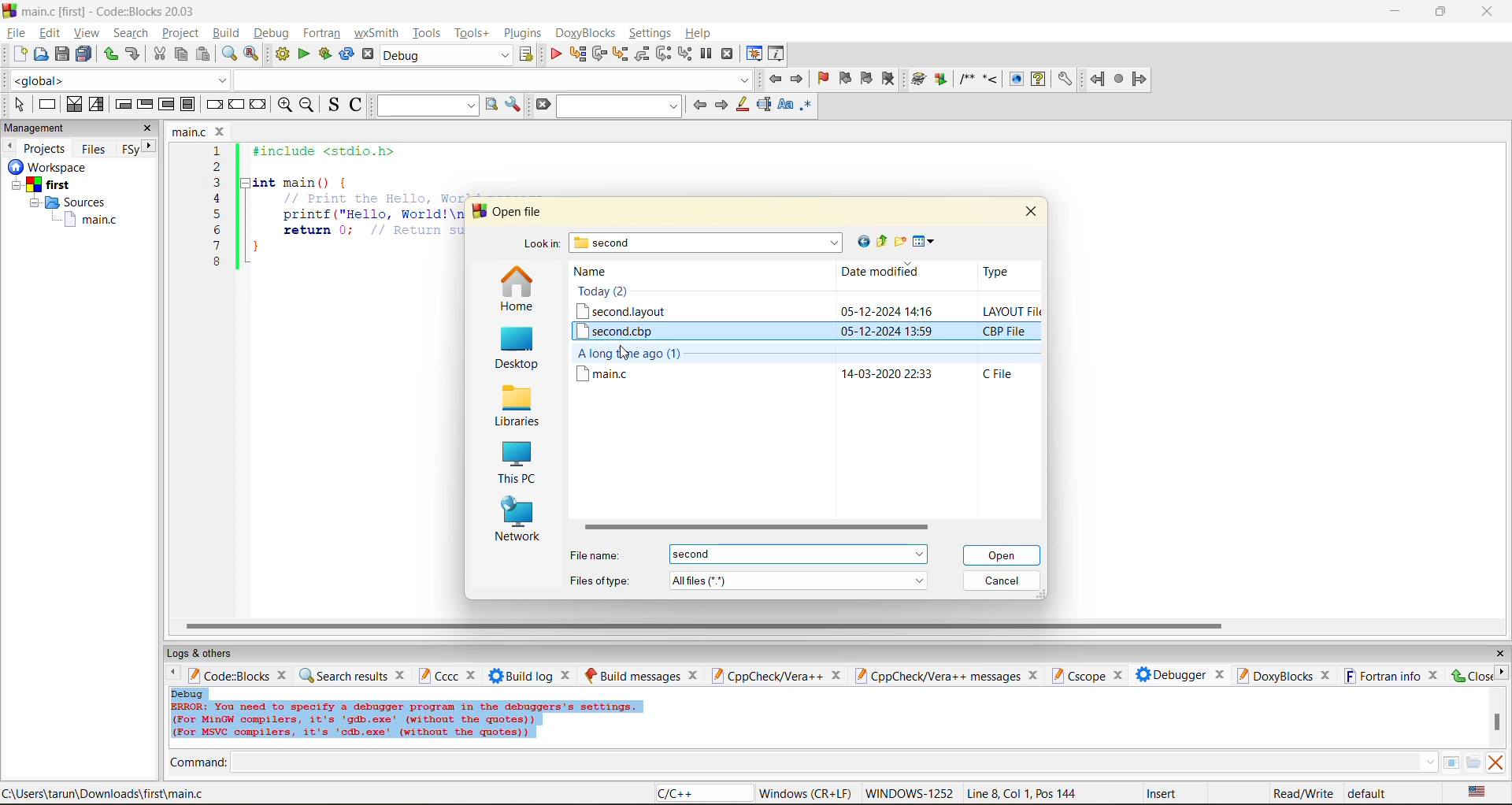 The width and height of the screenshot is (1512, 805). What do you see at coordinates (42, 54) in the screenshot?
I see `open` at bounding box center [42, 54].